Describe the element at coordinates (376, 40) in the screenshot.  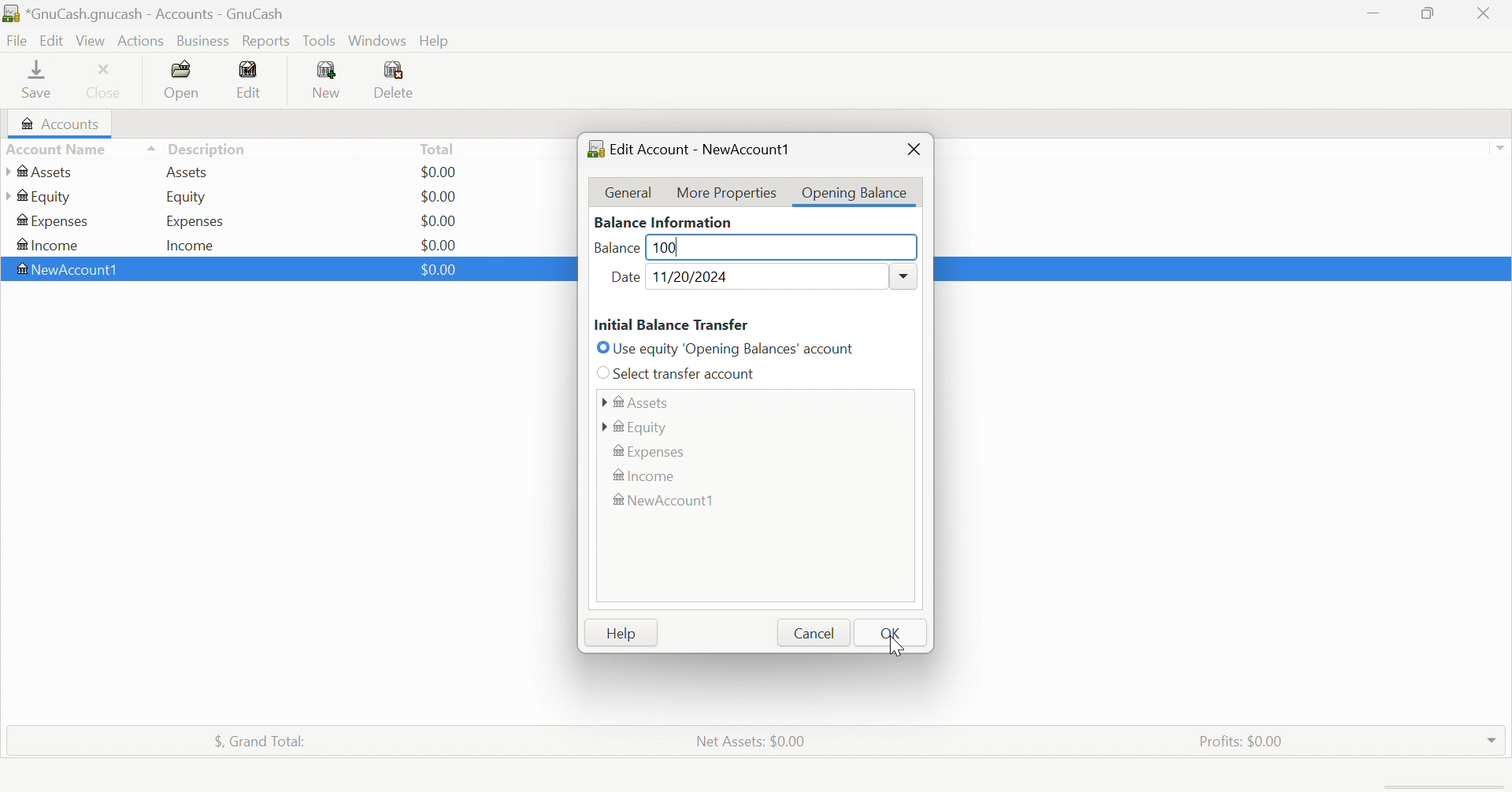
I see `Windows` at that location.